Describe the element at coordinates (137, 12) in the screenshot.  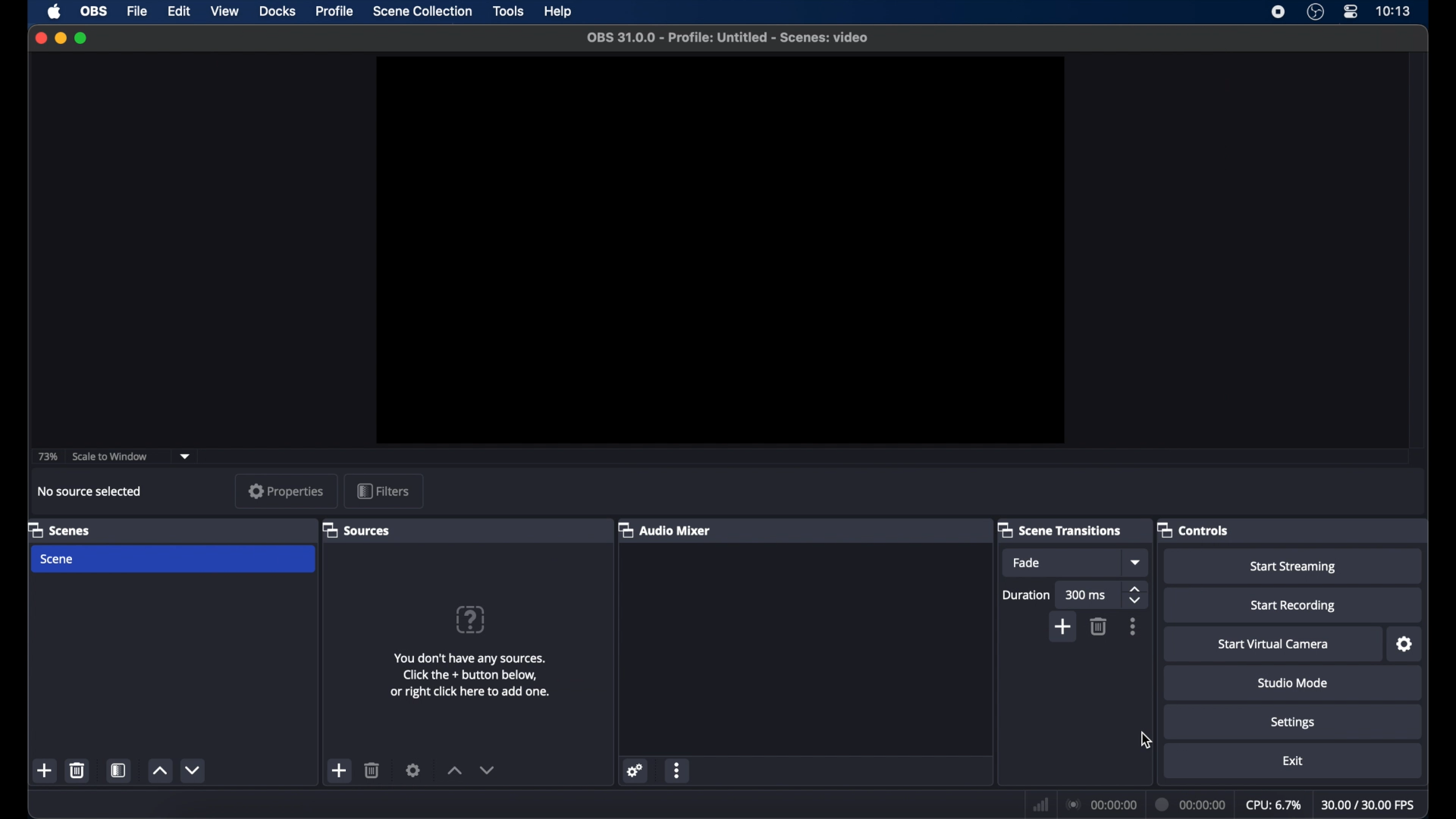
I see `file` at that location.